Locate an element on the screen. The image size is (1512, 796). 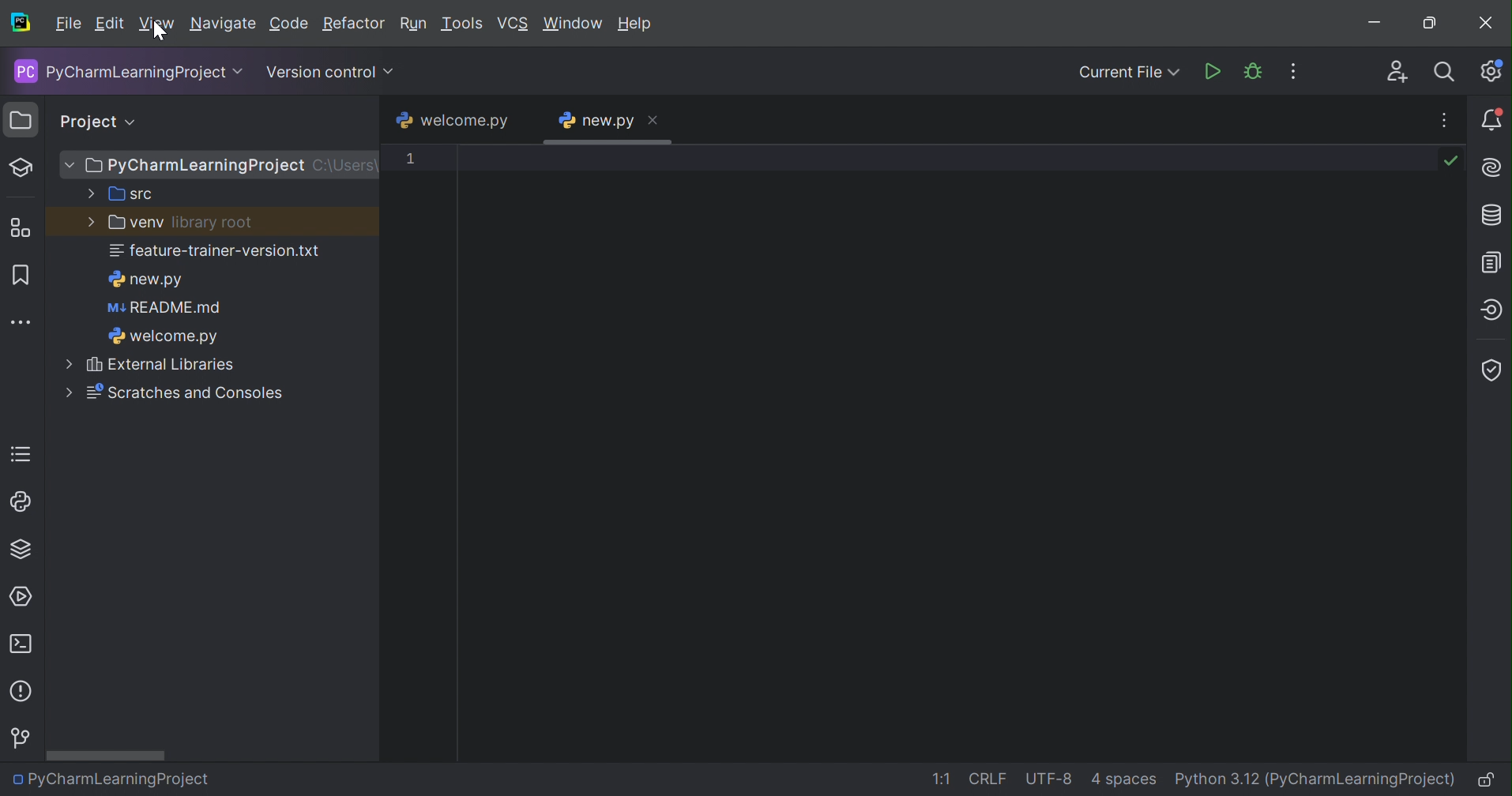
new.py is located at coordinates (145, 280).